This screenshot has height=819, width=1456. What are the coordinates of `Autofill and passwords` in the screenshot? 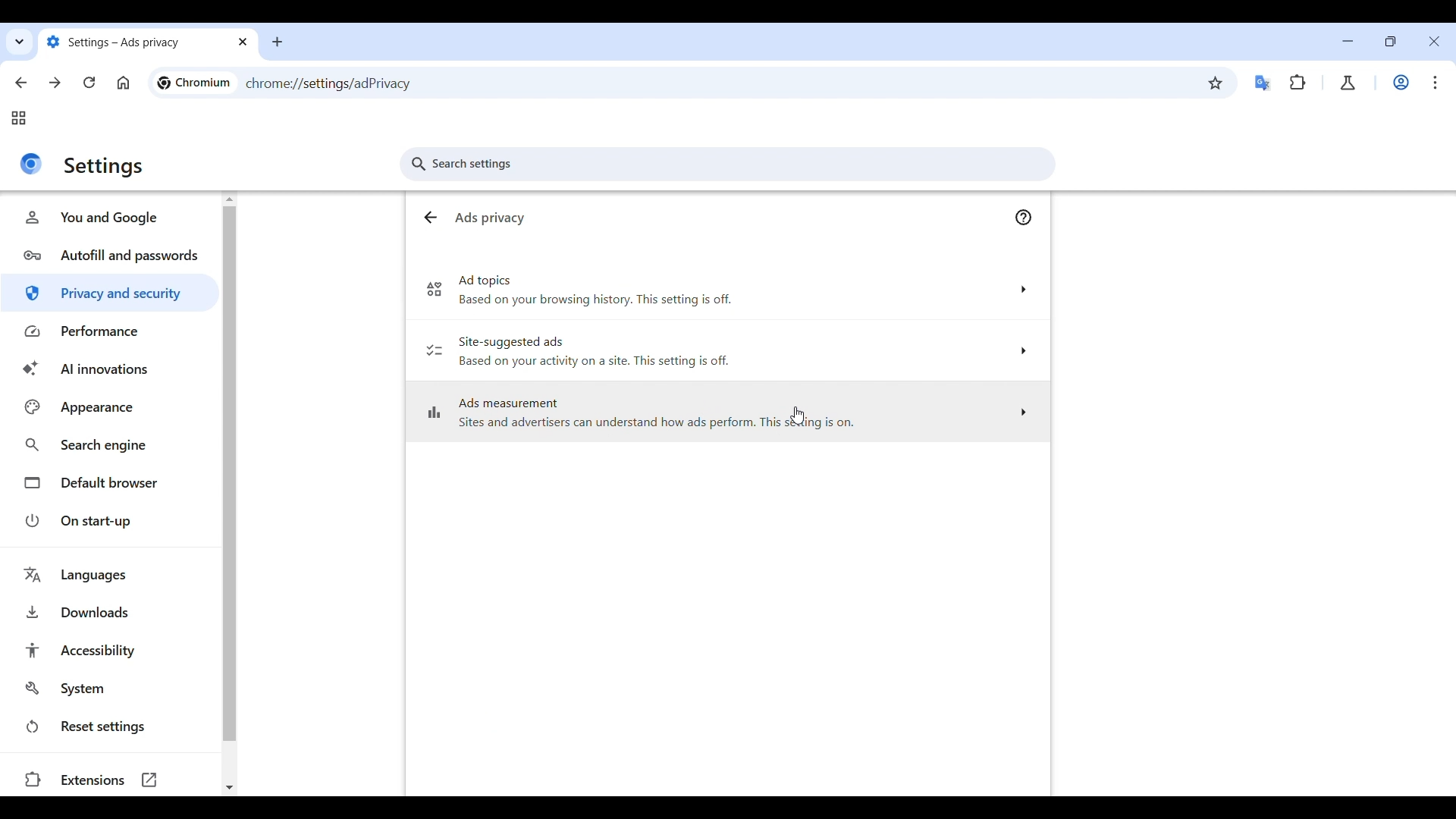 It's located at (111, 255).